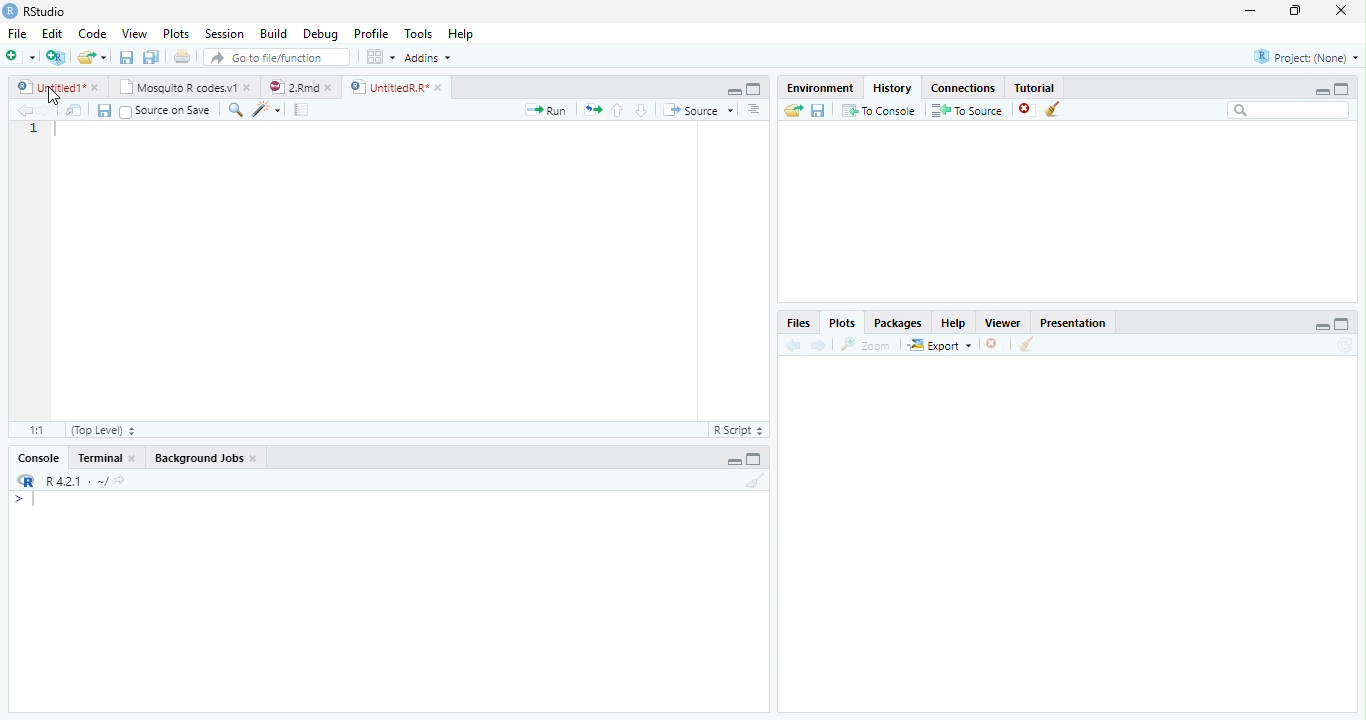  What do you see at coordinates (1024, 108) in the screenshot?
I see `delete ` at bounding box center [1024, 108].